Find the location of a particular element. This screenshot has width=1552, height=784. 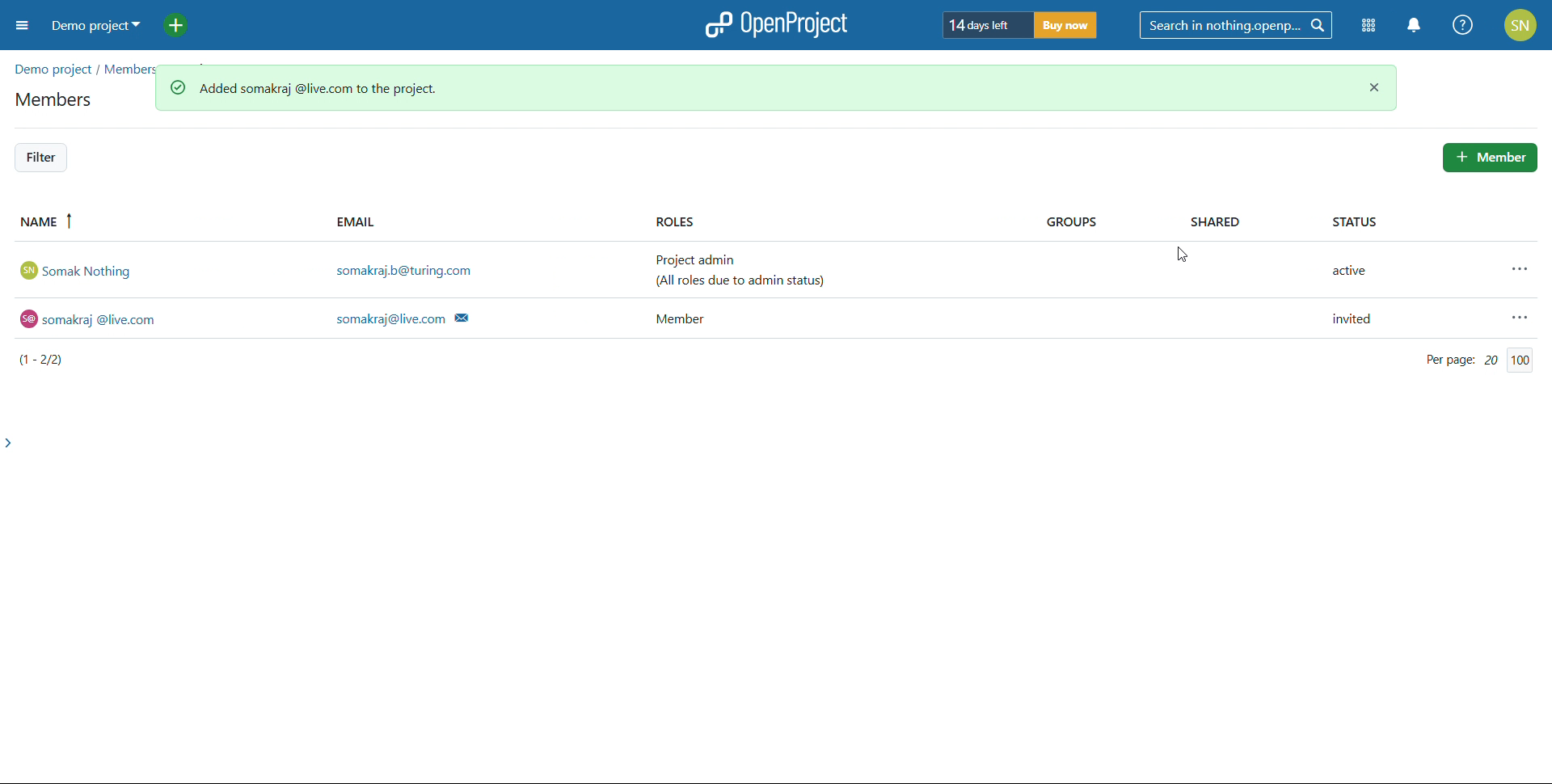

invited is located at coordinates (1357, 322).